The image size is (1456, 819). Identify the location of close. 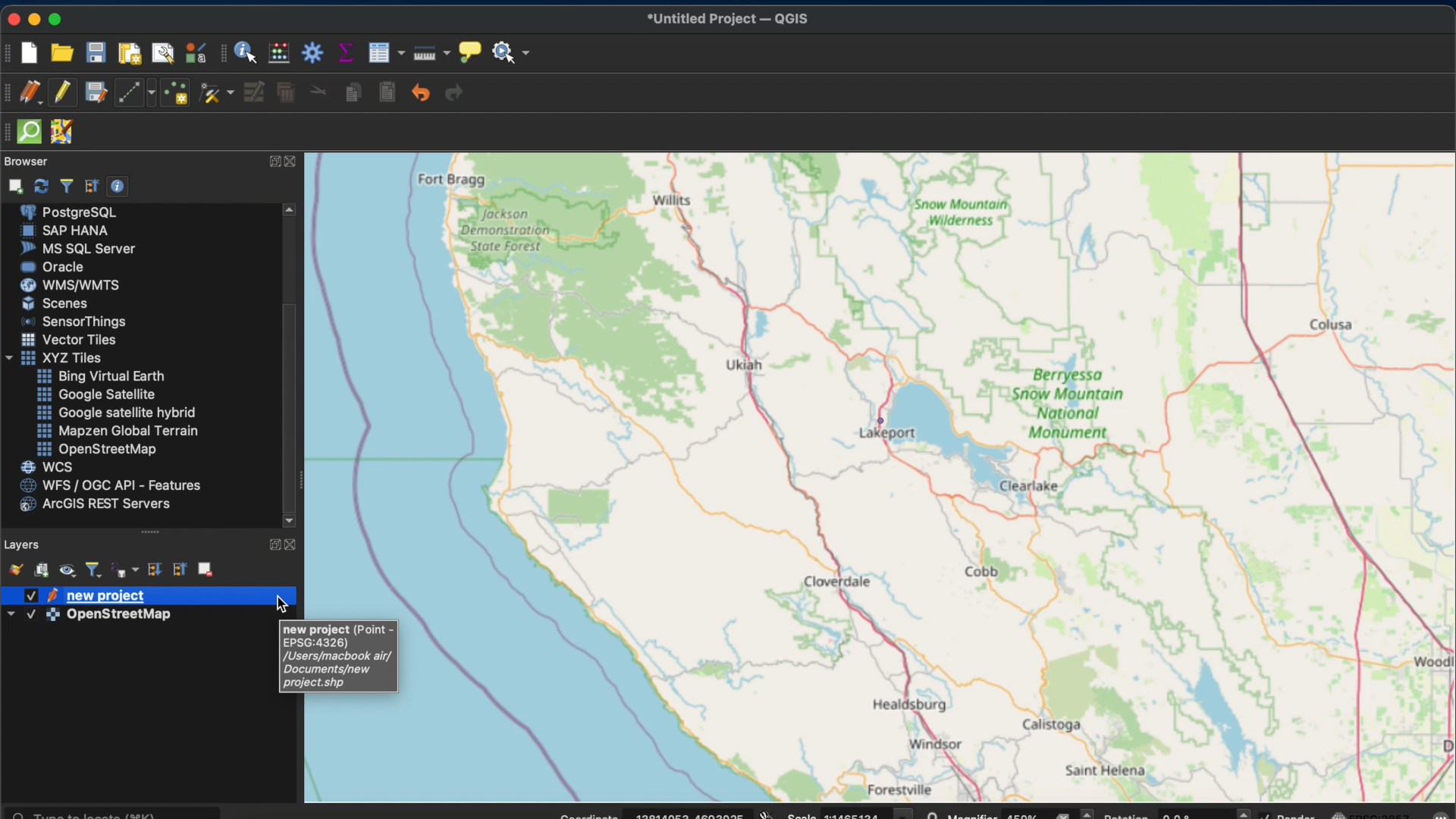
(293, 543).